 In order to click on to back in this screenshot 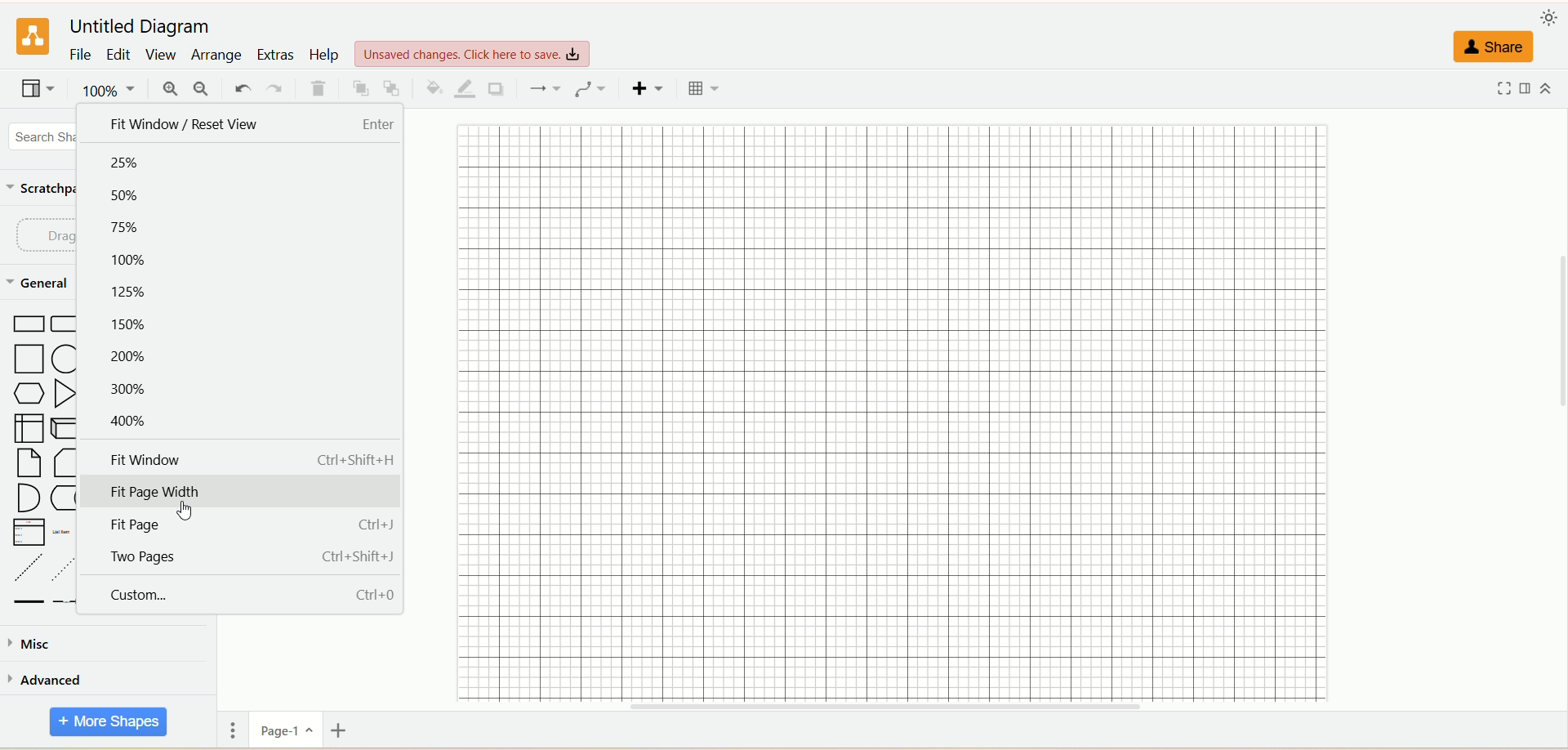, I will do `click(395, 88)`.